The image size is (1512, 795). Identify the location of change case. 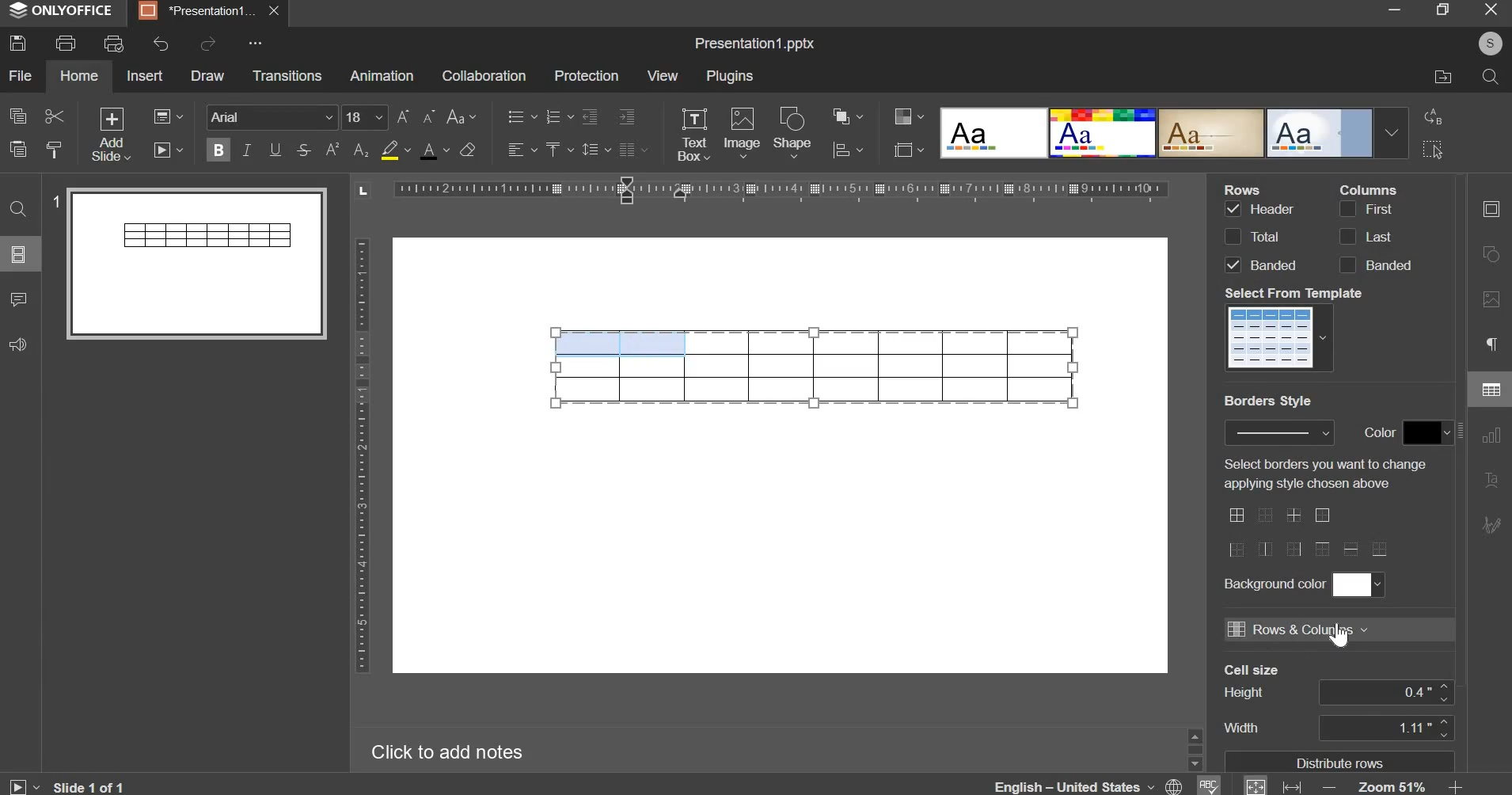
(461, 117).